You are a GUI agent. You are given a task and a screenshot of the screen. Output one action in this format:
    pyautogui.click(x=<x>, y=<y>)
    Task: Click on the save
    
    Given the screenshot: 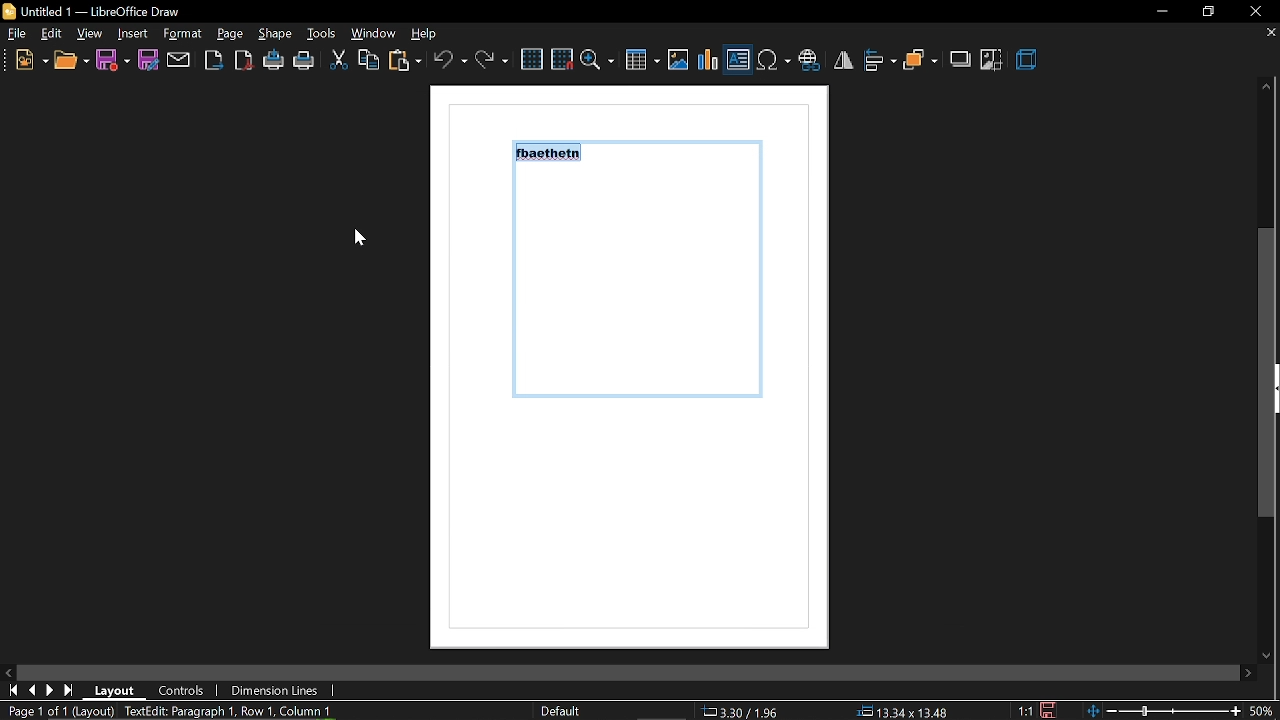 What is the action you would take?
    pyautogui.click(x=1054, y=708)
    